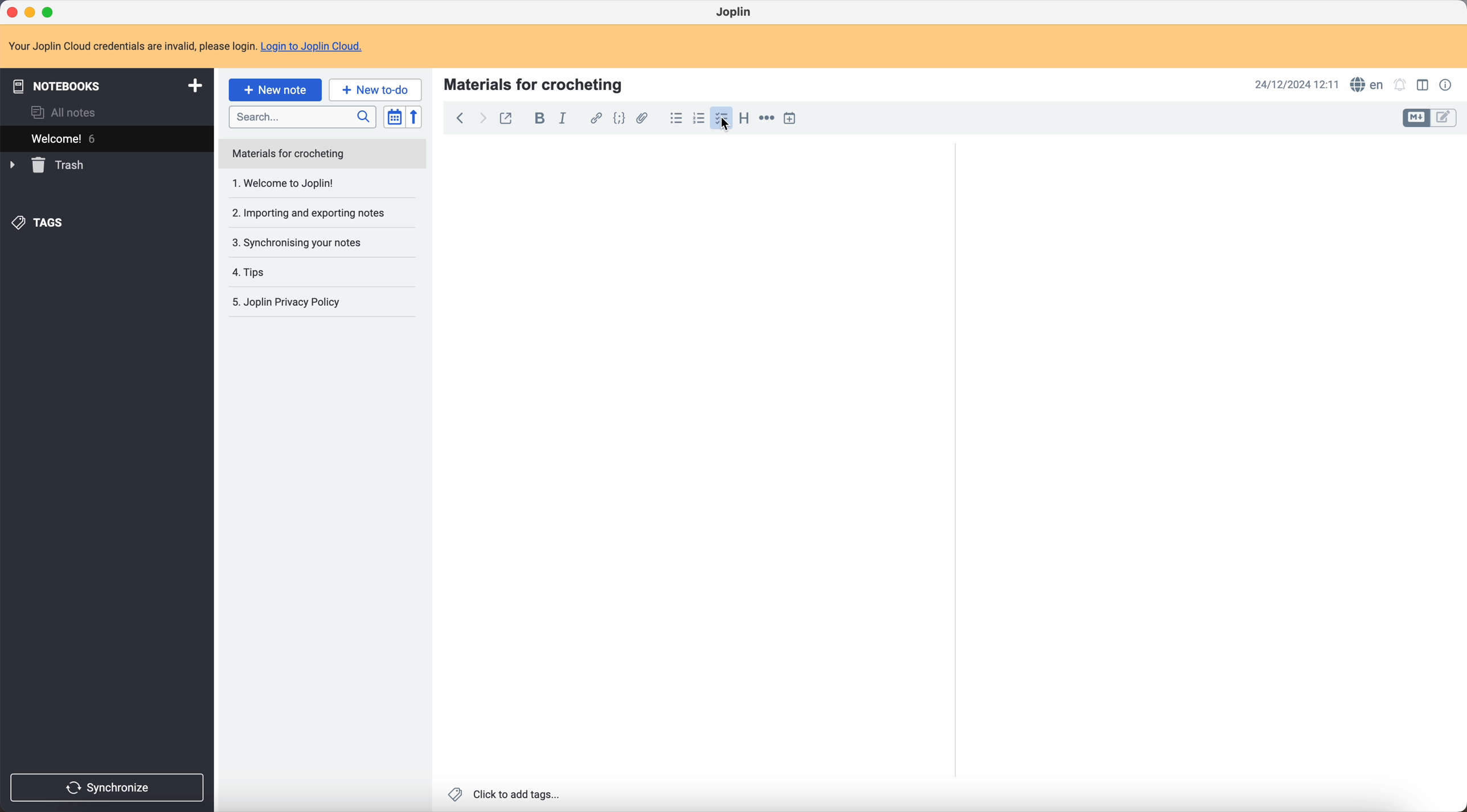  I want to click on foward, so click(481, 120).